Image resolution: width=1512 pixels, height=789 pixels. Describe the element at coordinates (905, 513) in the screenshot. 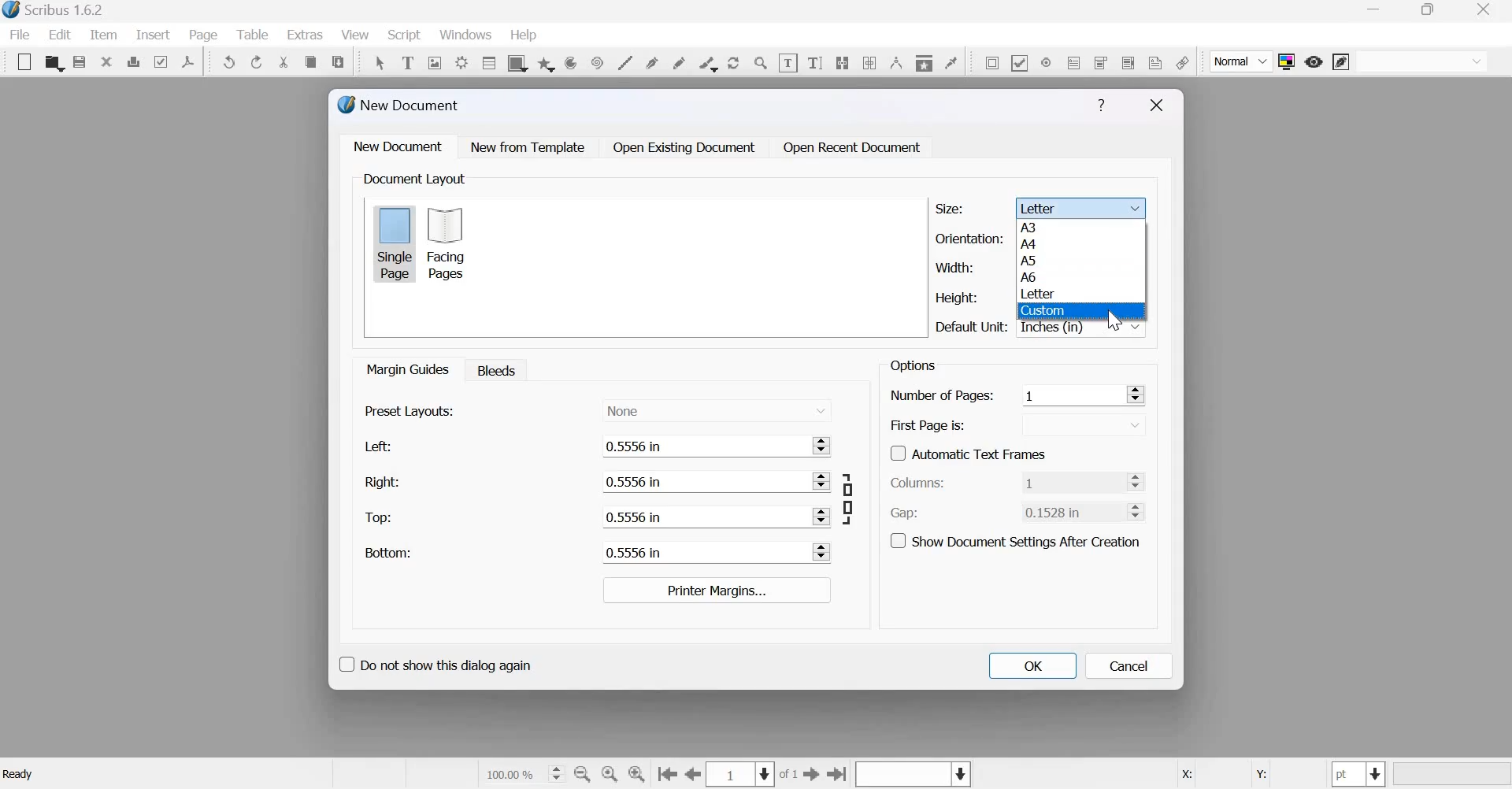

I see `Gap:` at that location.